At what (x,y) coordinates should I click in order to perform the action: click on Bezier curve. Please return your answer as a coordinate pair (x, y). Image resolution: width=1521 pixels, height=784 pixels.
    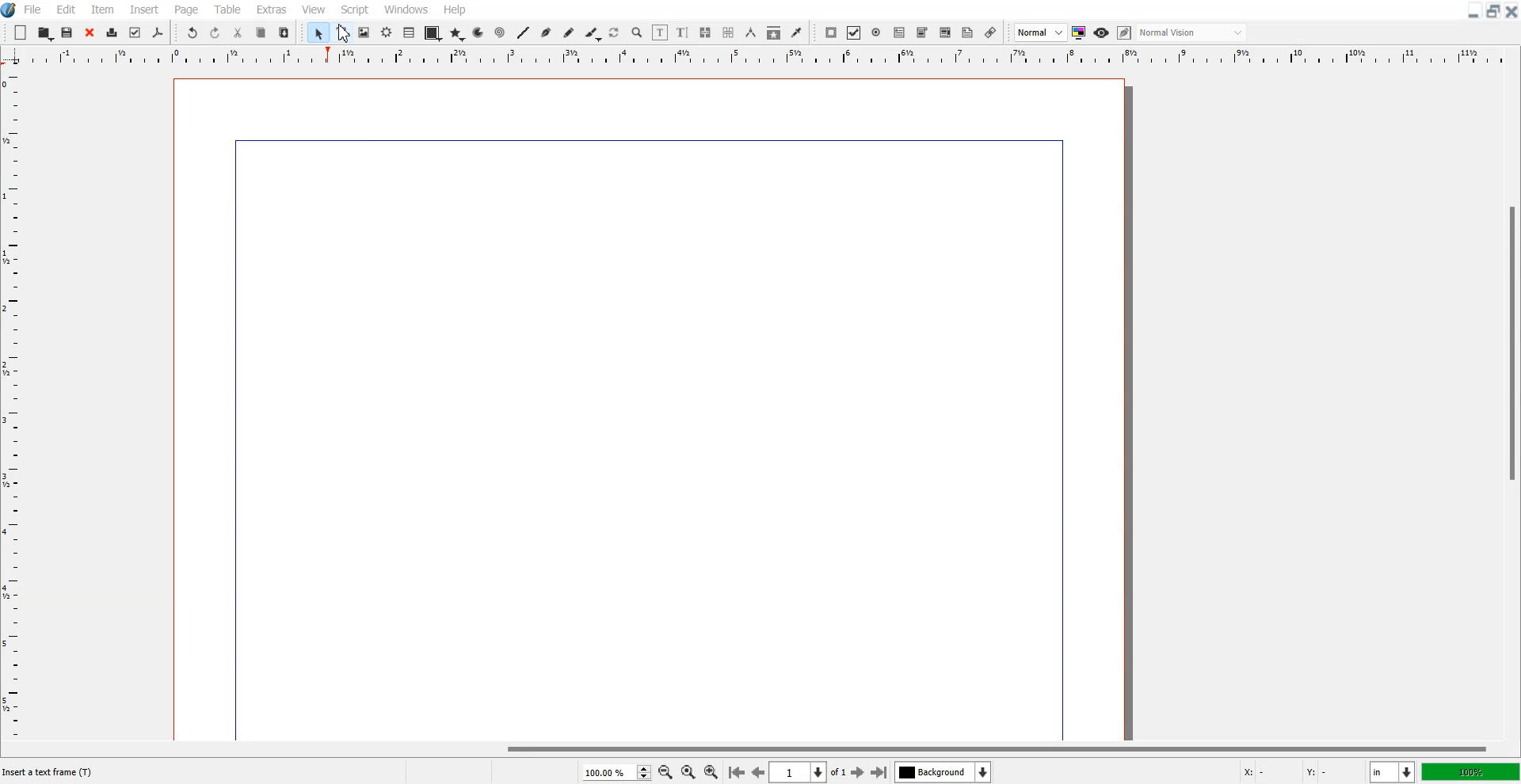
    Looking at the image, I should click on (547, 33).